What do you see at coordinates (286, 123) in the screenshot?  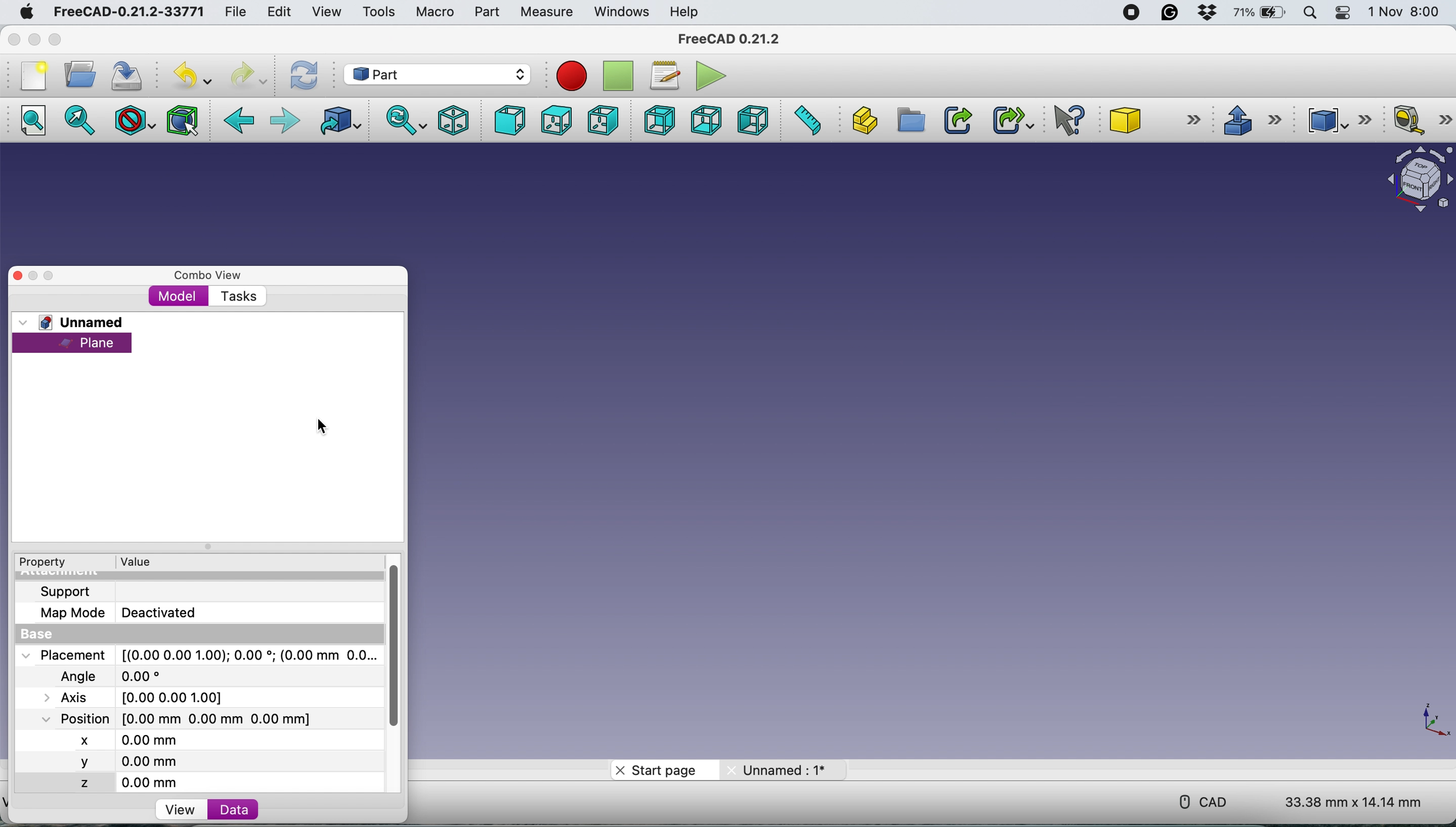 I see `foward` at bounding box center [286, 123].